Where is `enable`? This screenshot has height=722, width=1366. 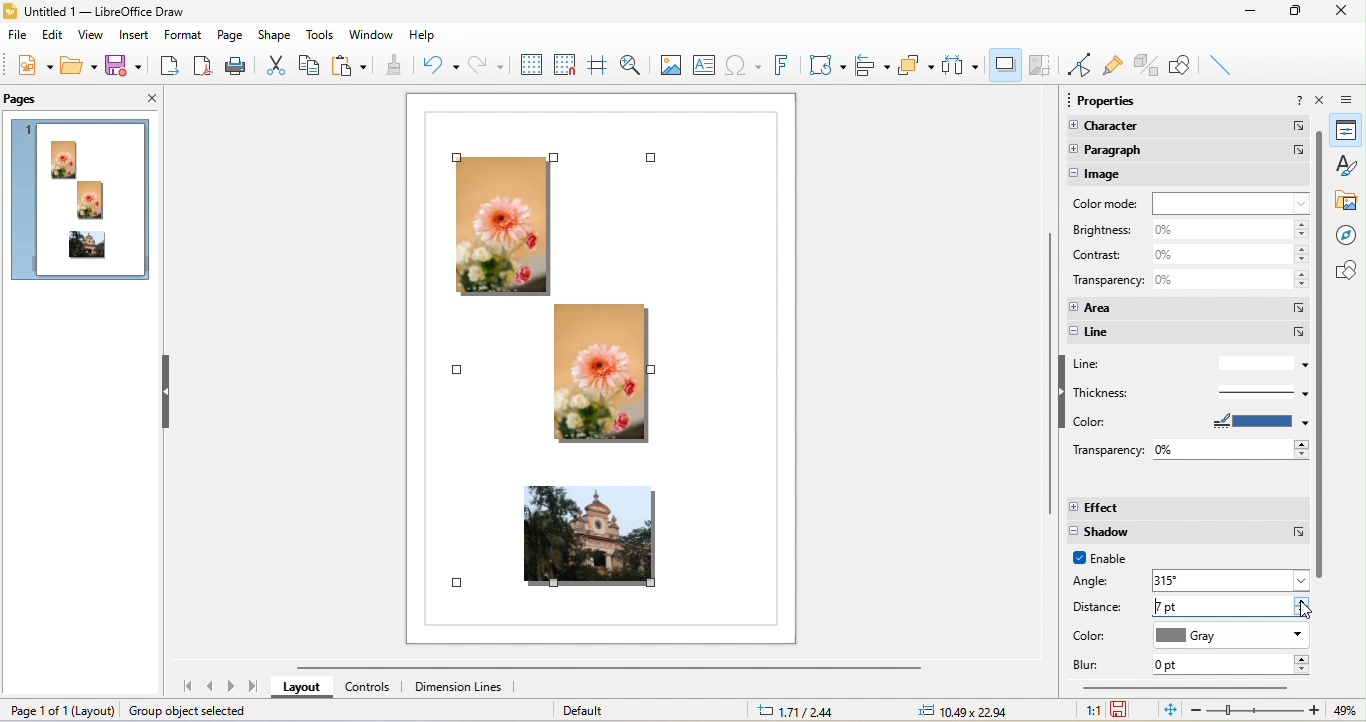 enable is located at coordinates (1109, 560).